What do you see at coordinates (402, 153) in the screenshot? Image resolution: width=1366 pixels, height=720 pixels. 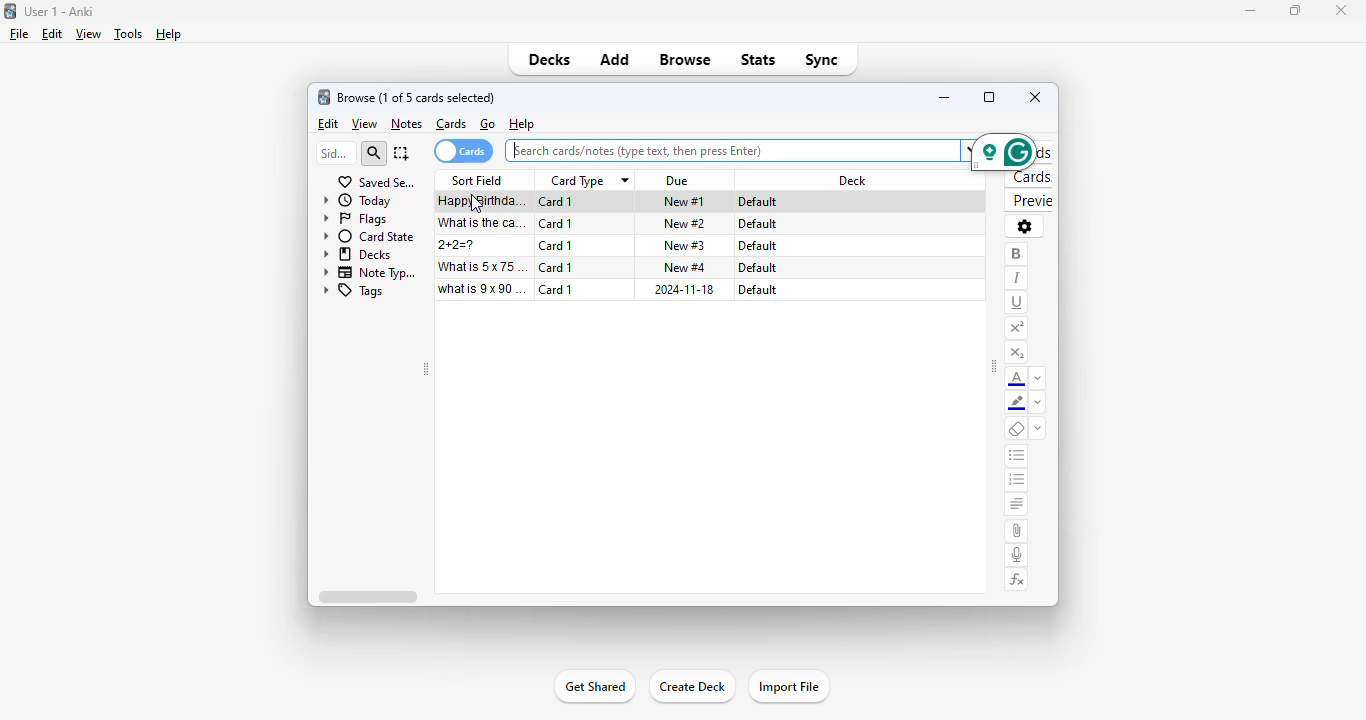 I see `select` at bounding box center [402, 153].